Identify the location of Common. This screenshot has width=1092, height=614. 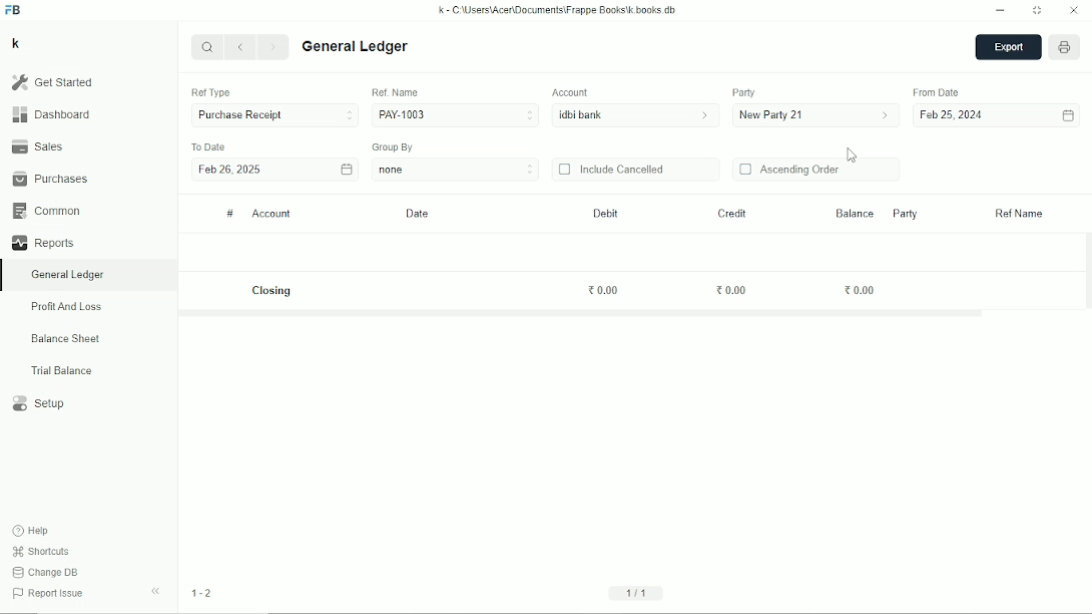
(46, 211).